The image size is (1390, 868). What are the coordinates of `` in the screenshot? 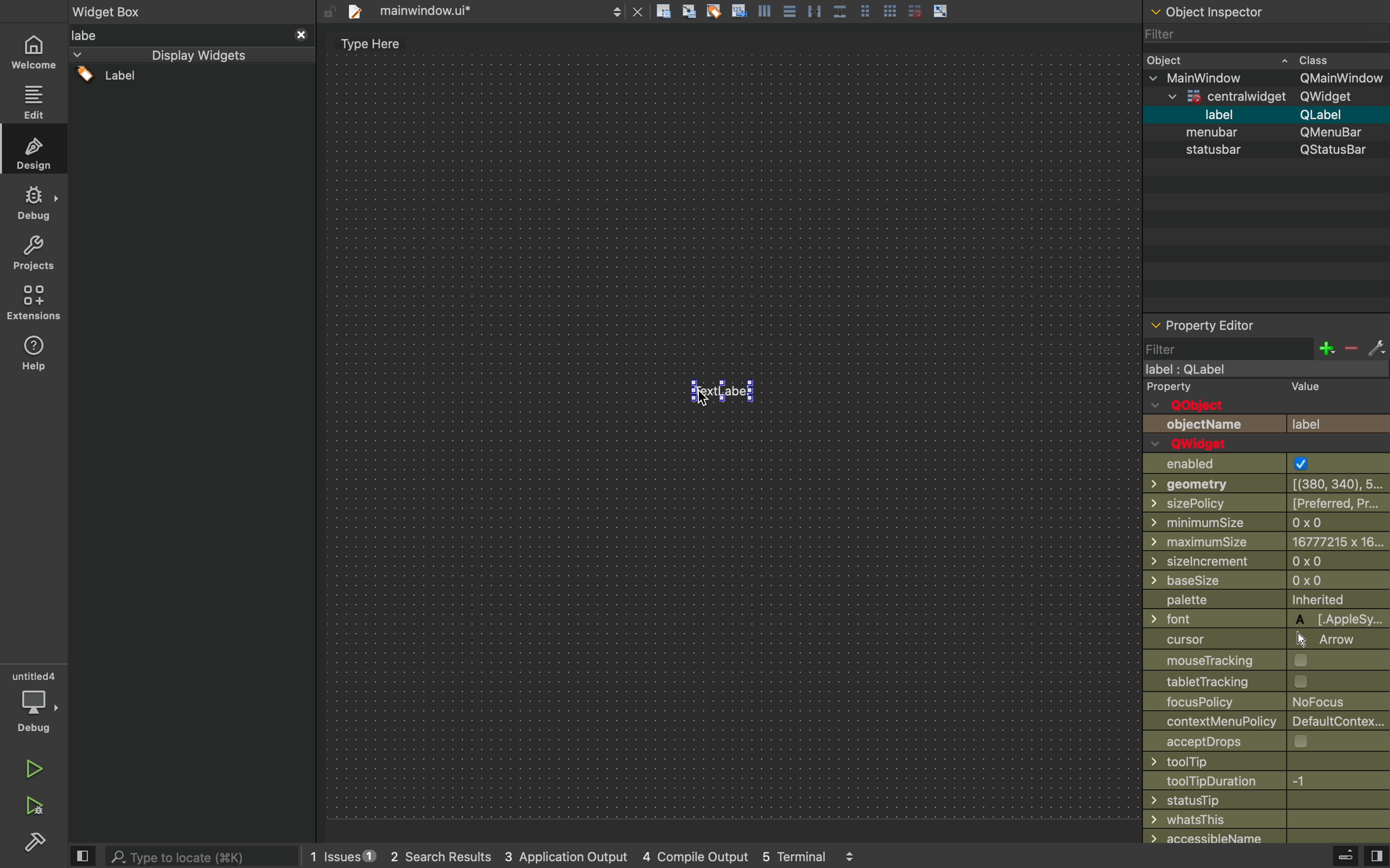 It's located at (87, 855).